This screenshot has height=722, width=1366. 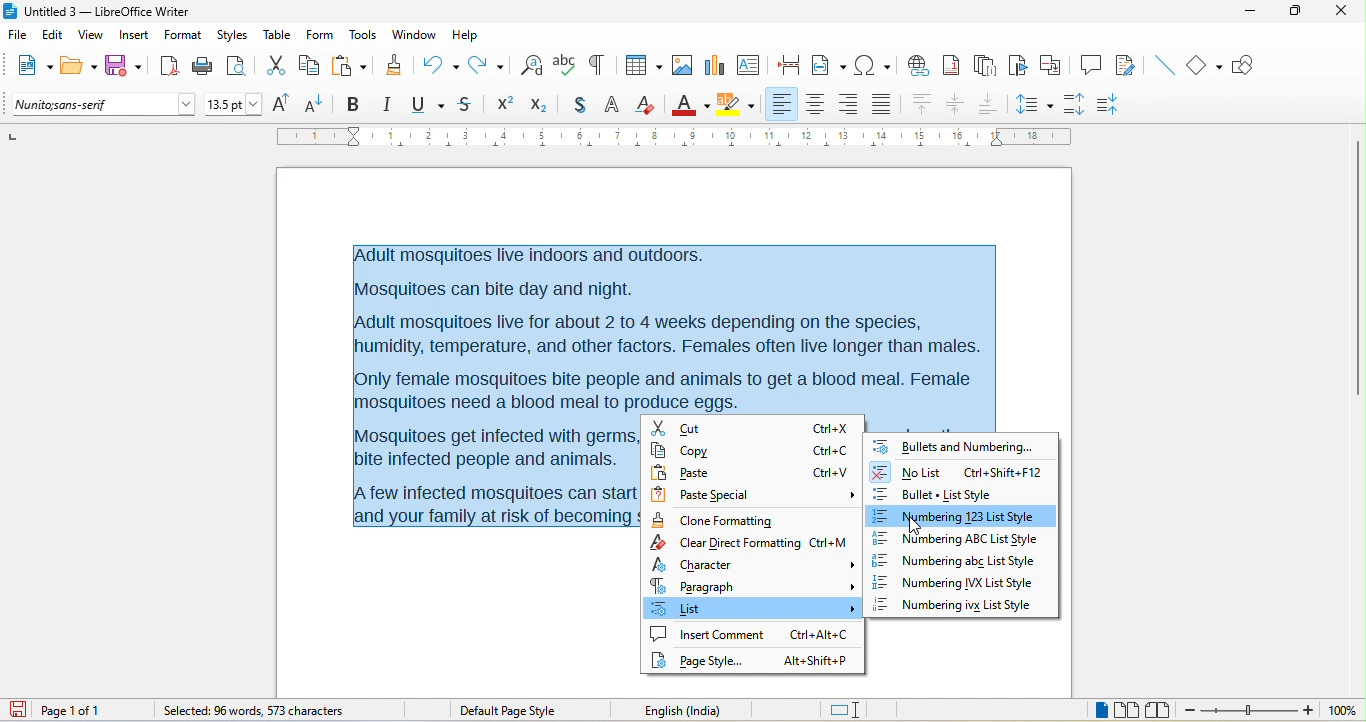 What do you see at coordinates (495, 477) in the screenshot?
I see `Mosquitoes get infected with germs

bite infected people and animals.
few infected mosquitoes can start
ind your family at risk of becomin` at bounding box center [495, 477].